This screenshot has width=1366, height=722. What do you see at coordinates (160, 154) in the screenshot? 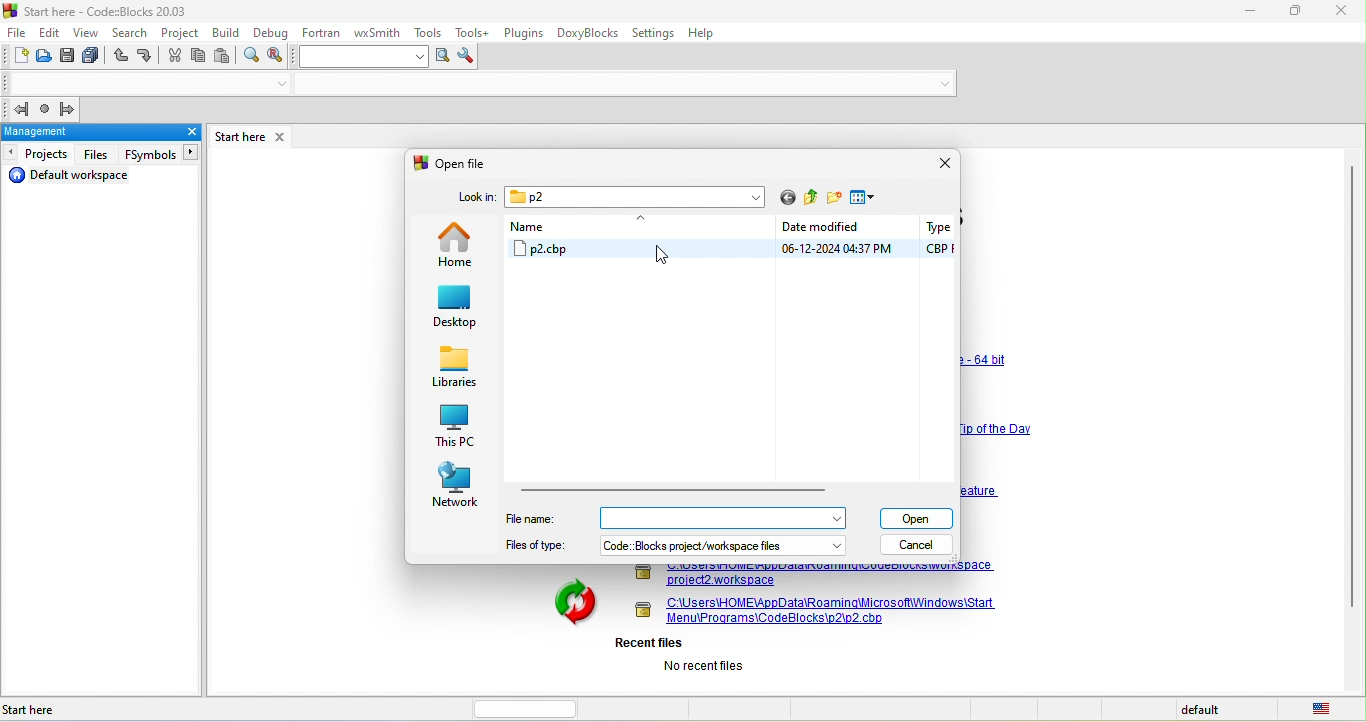
I see `fsymbols` at bounding box center [160, 154].